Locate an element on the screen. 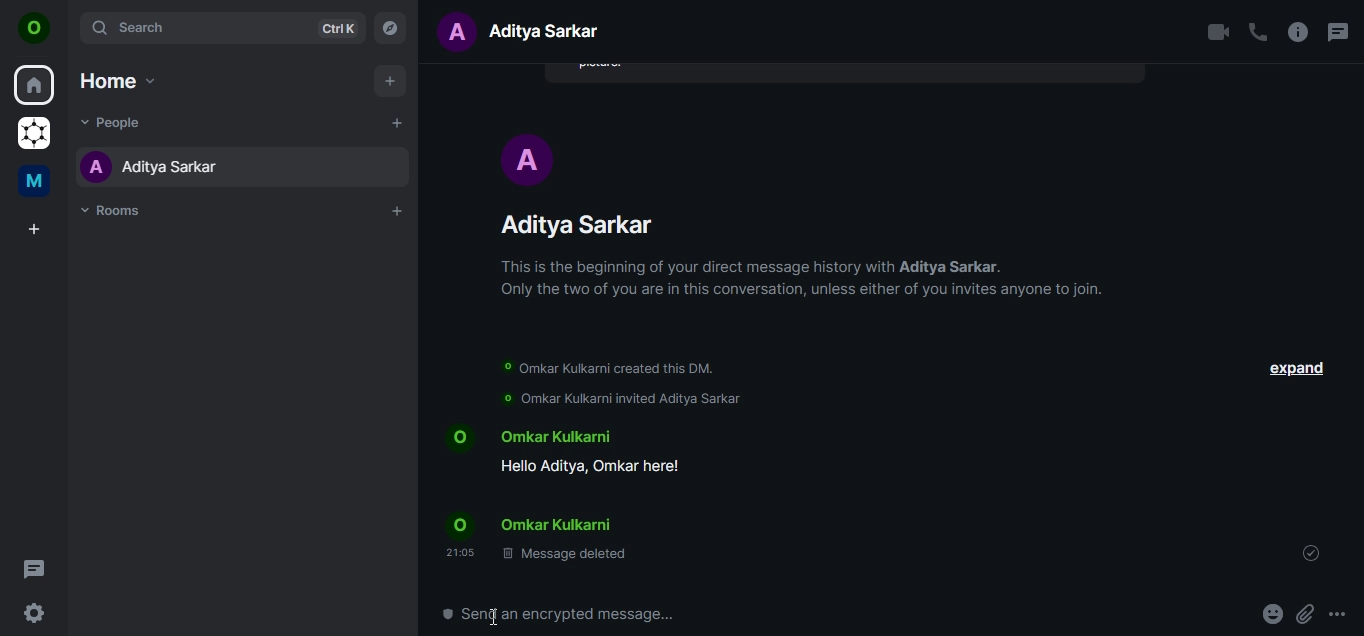 The height and width of the screenshot is (636, 1364). cursor is located at coordinates (491, 616).